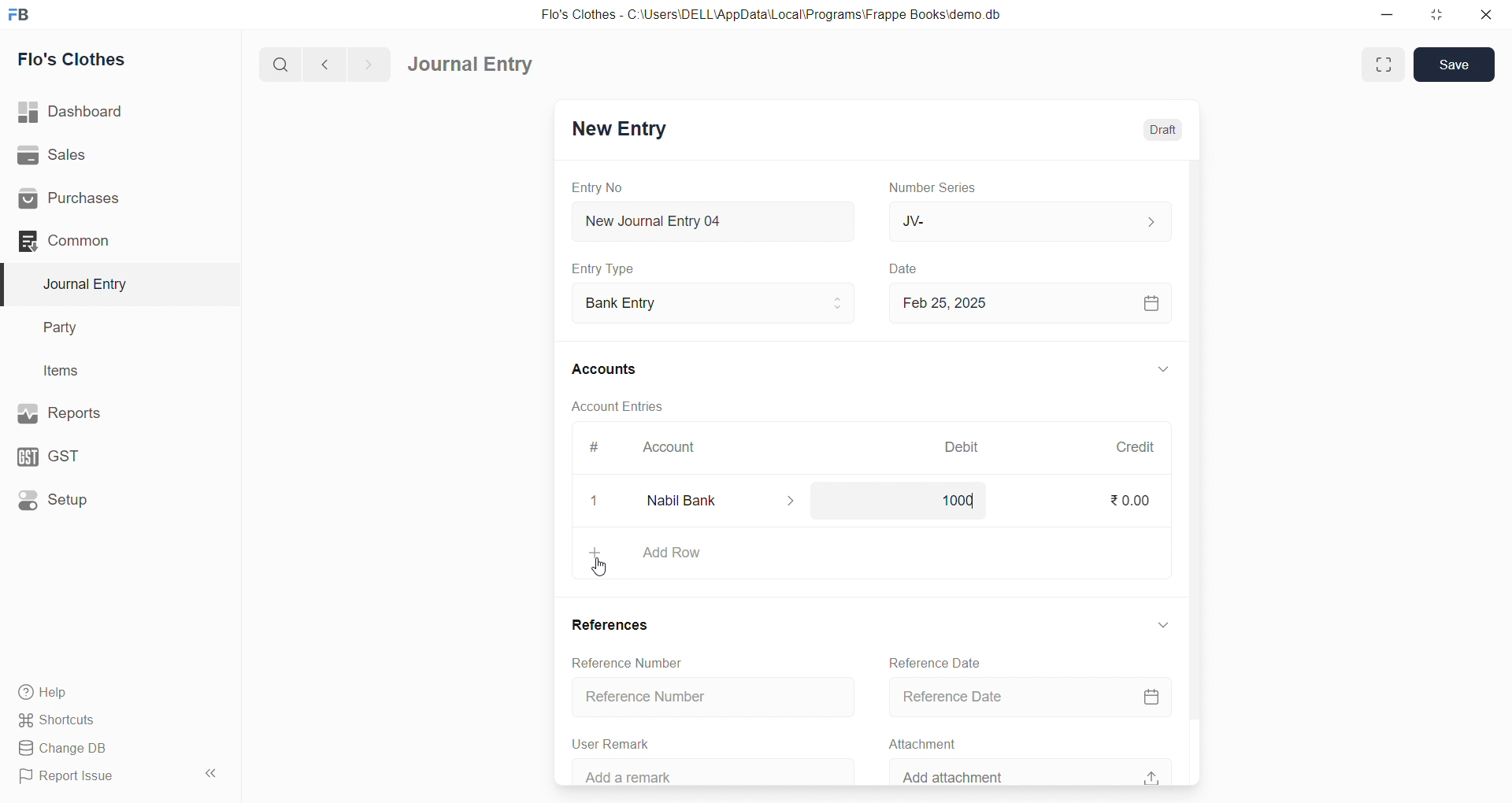  Describe the element at coordinates (614, 661) in the screenshot. I see `Reference Number` at that location.